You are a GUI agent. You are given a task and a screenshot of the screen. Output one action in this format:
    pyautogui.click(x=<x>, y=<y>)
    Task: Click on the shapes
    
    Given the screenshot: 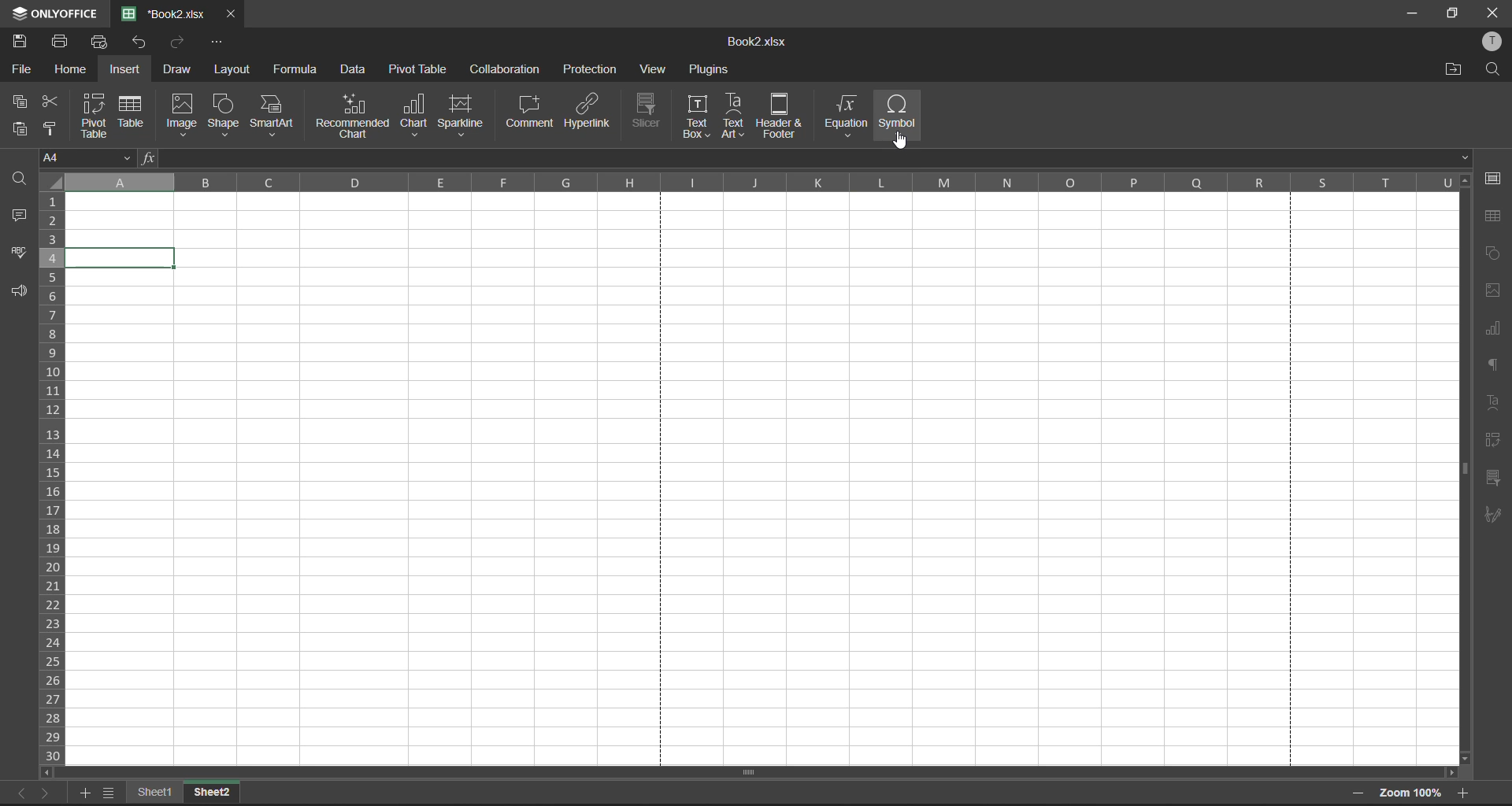 What is the action you would take?
    pyautogui.click(x=1492, y=253)
    